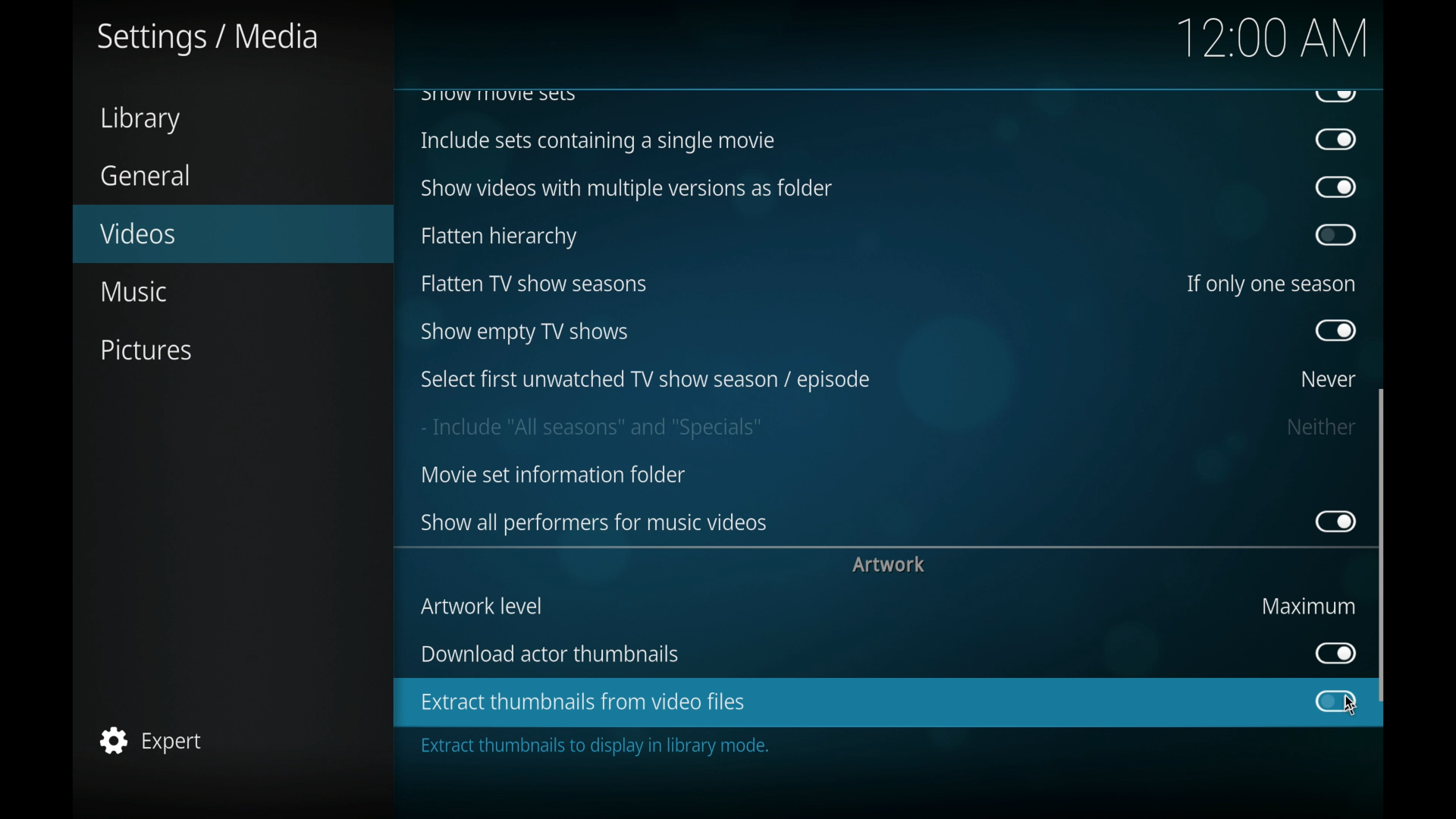  I want to click on include sets containing a single movie, so click(598, 141).